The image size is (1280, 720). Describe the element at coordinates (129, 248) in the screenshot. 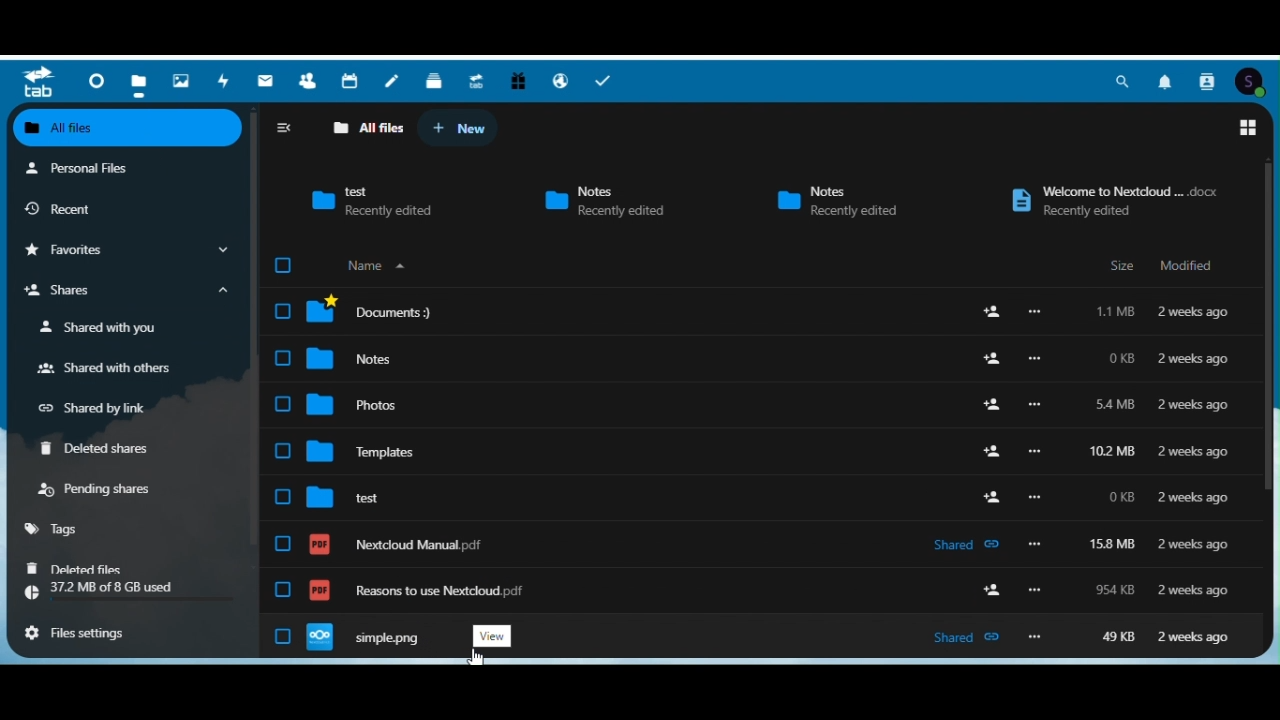

I see `Favourite ` at that location.